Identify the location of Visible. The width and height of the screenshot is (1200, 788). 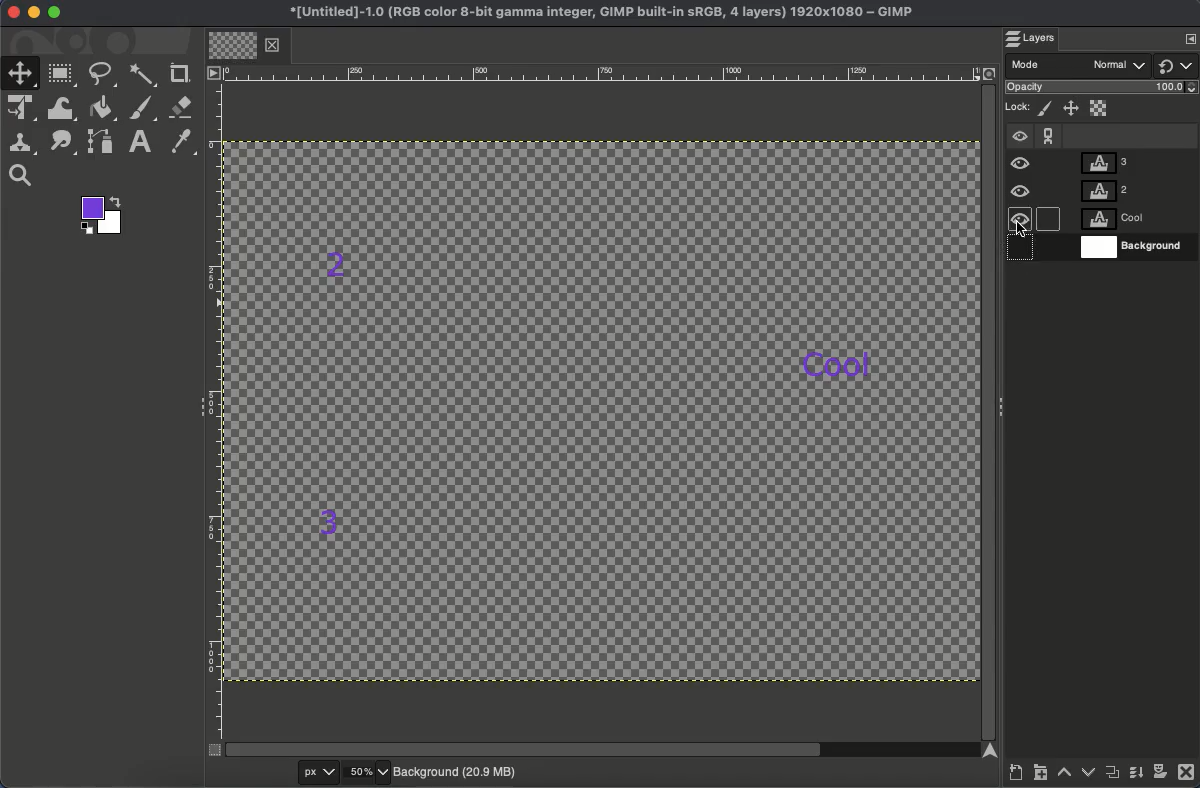
(1022, 196).